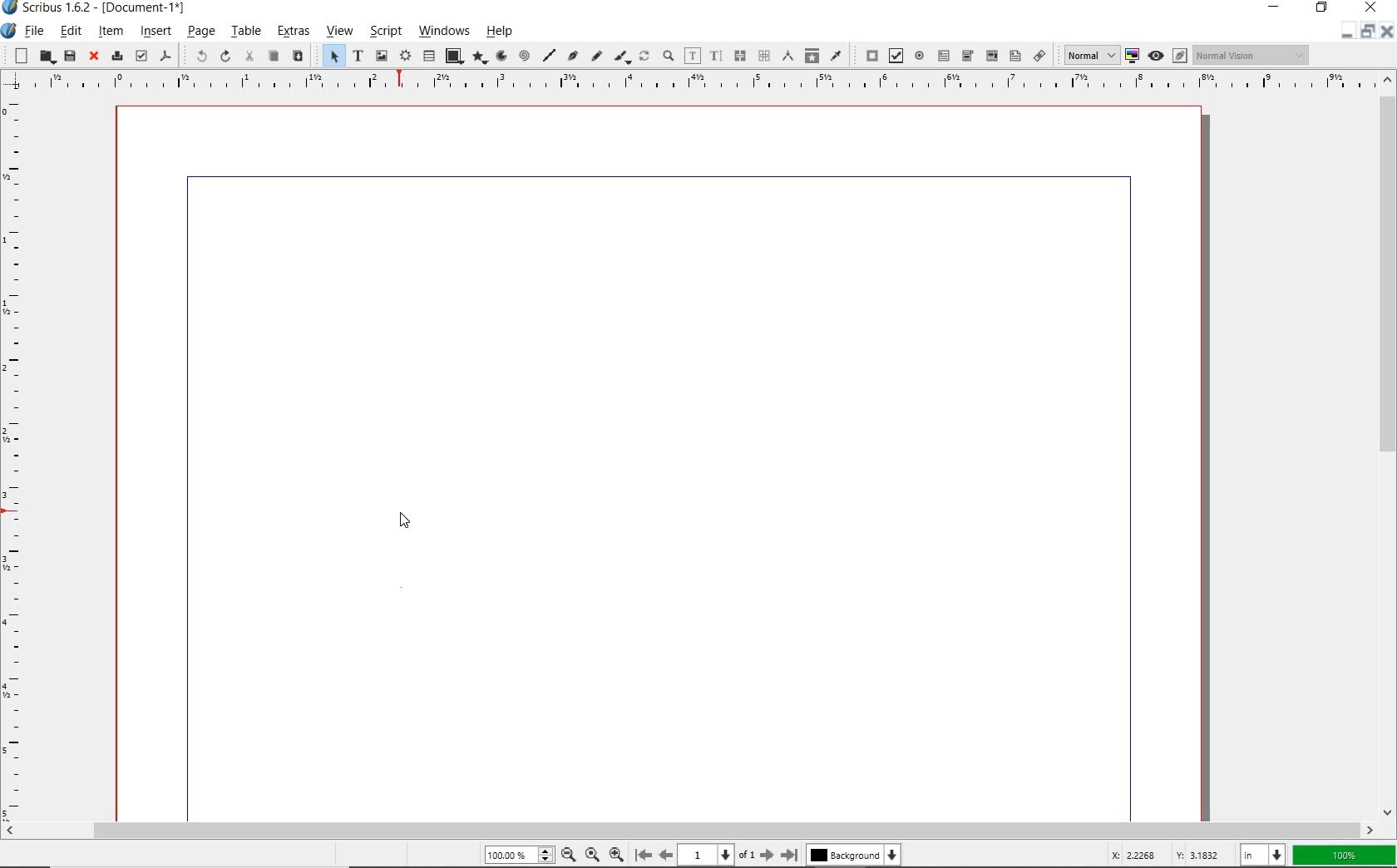  Describe the element at coordinates (644, 57) in the screenshot. I see `rotate item` at that location.